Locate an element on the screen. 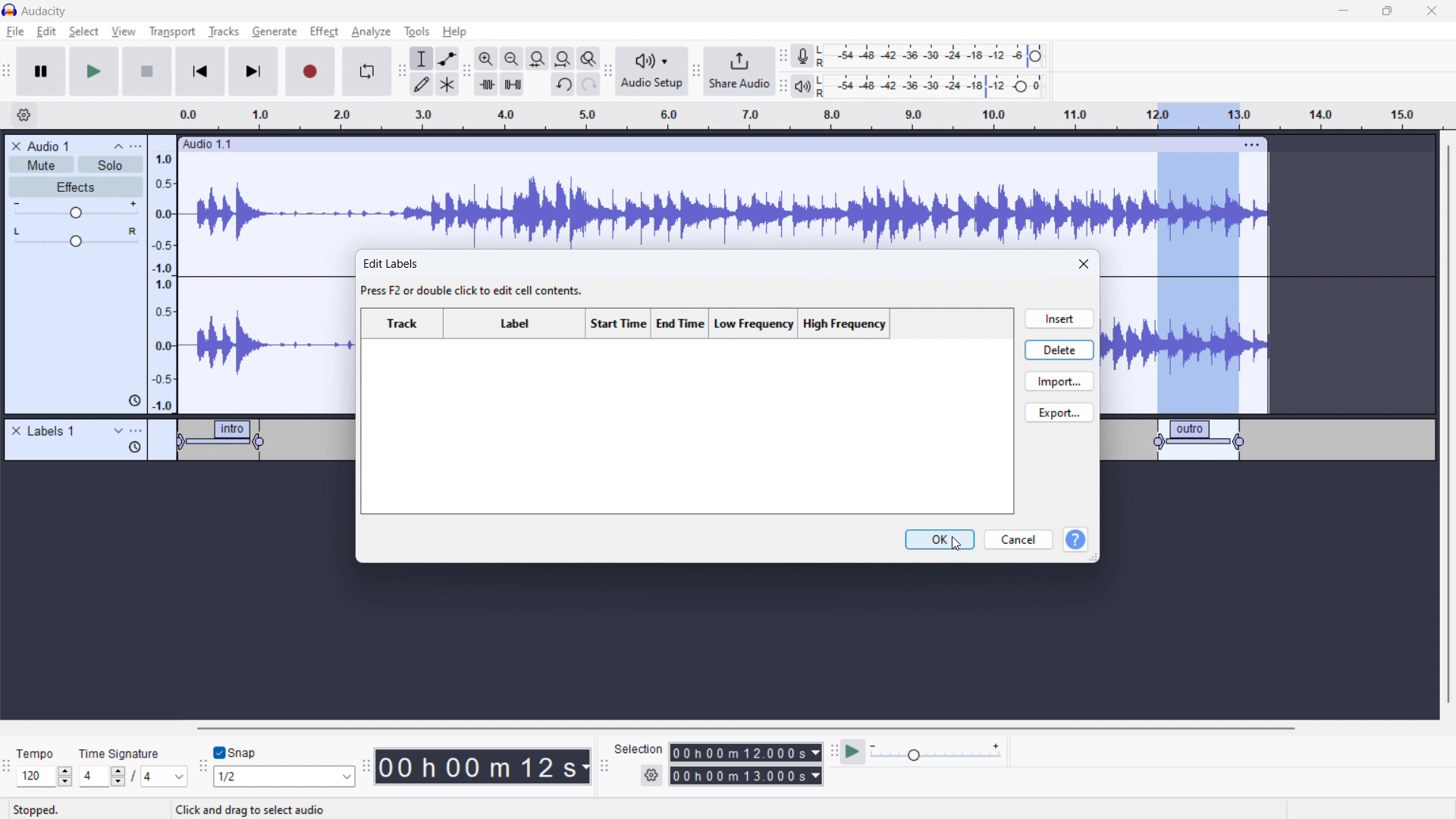 The image size is (1456, 819). minimize is located at coordinates (1342, 11).